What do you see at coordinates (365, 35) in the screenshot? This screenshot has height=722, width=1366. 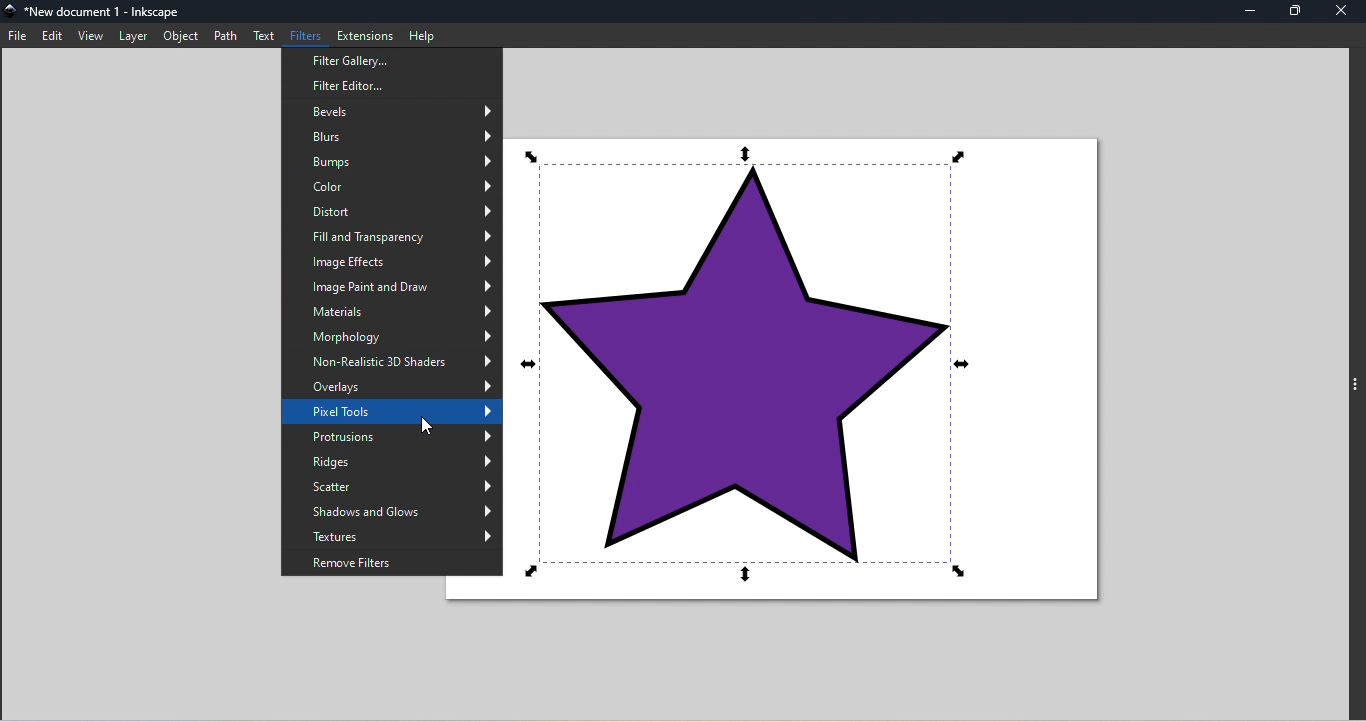 I see `Extensions` at bounding box center [365, 35].